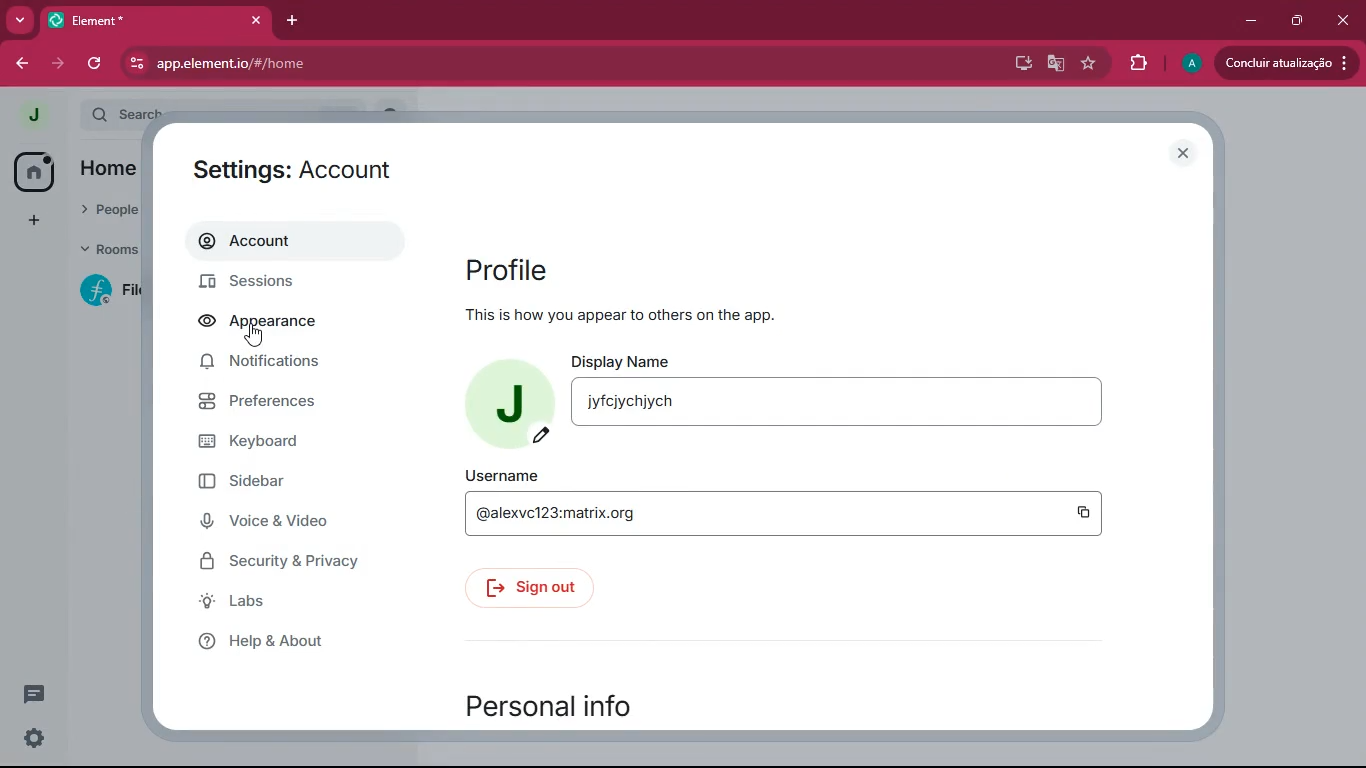  What do you see at coordinates (279, 408) in the screenshot?
I see `preferences` at bounding box center [279, 408].